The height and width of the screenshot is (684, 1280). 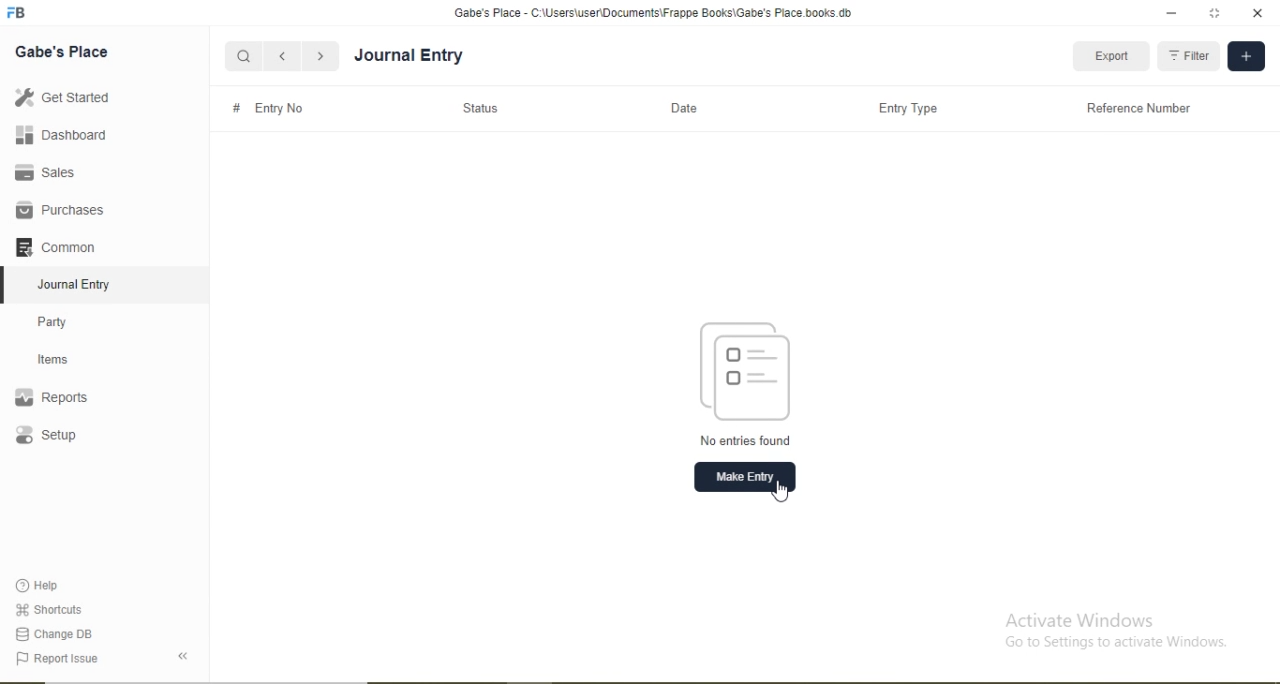 What do you see at coordinates (60, 210) in the screenshot?
I see `Purchases` at bounding box center [60, 210].